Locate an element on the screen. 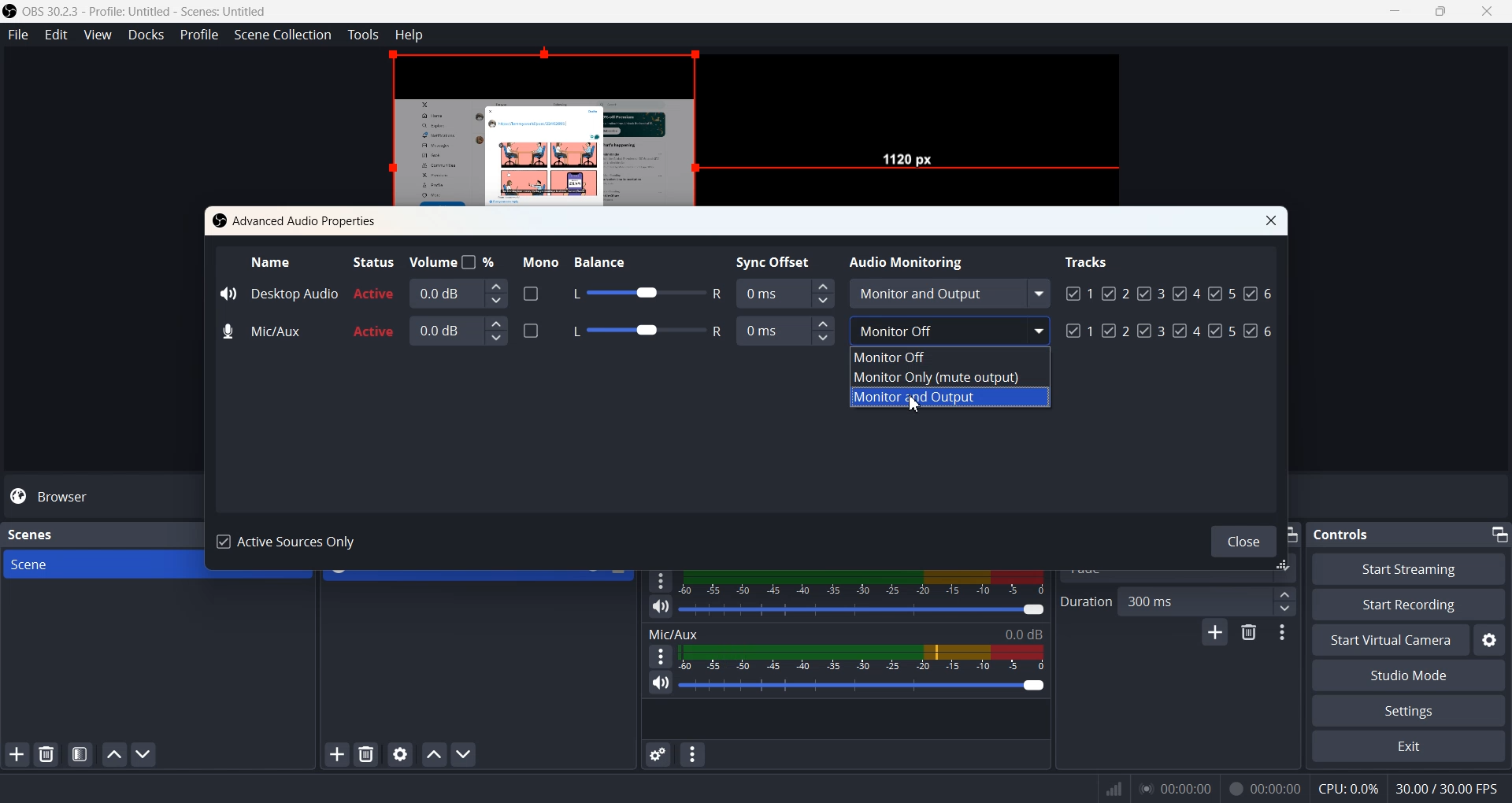 The width and height of the screenshot is (1512, 803). File is located at coordinates (18, 35).